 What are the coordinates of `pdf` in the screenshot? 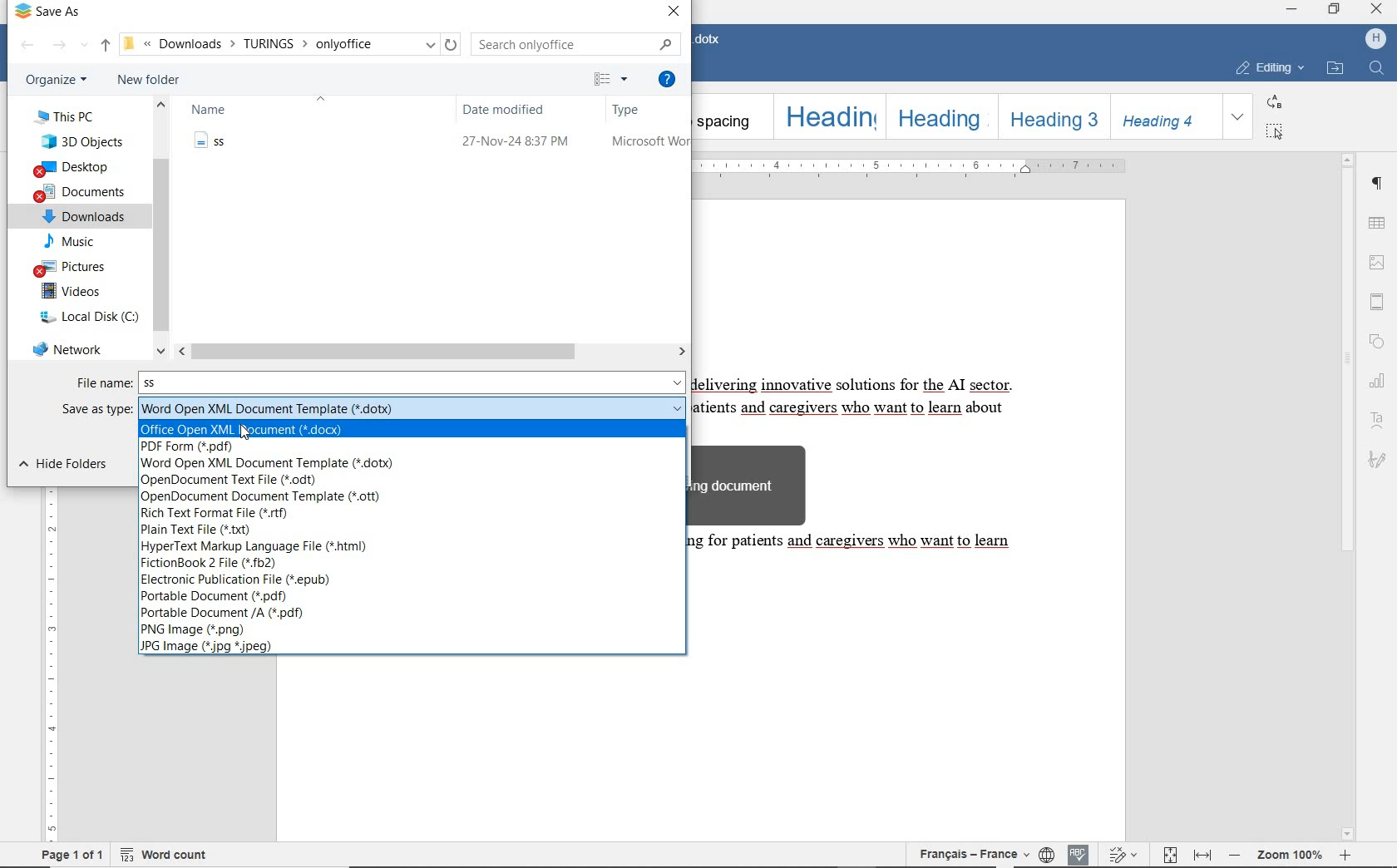 It's located at (221, 598).